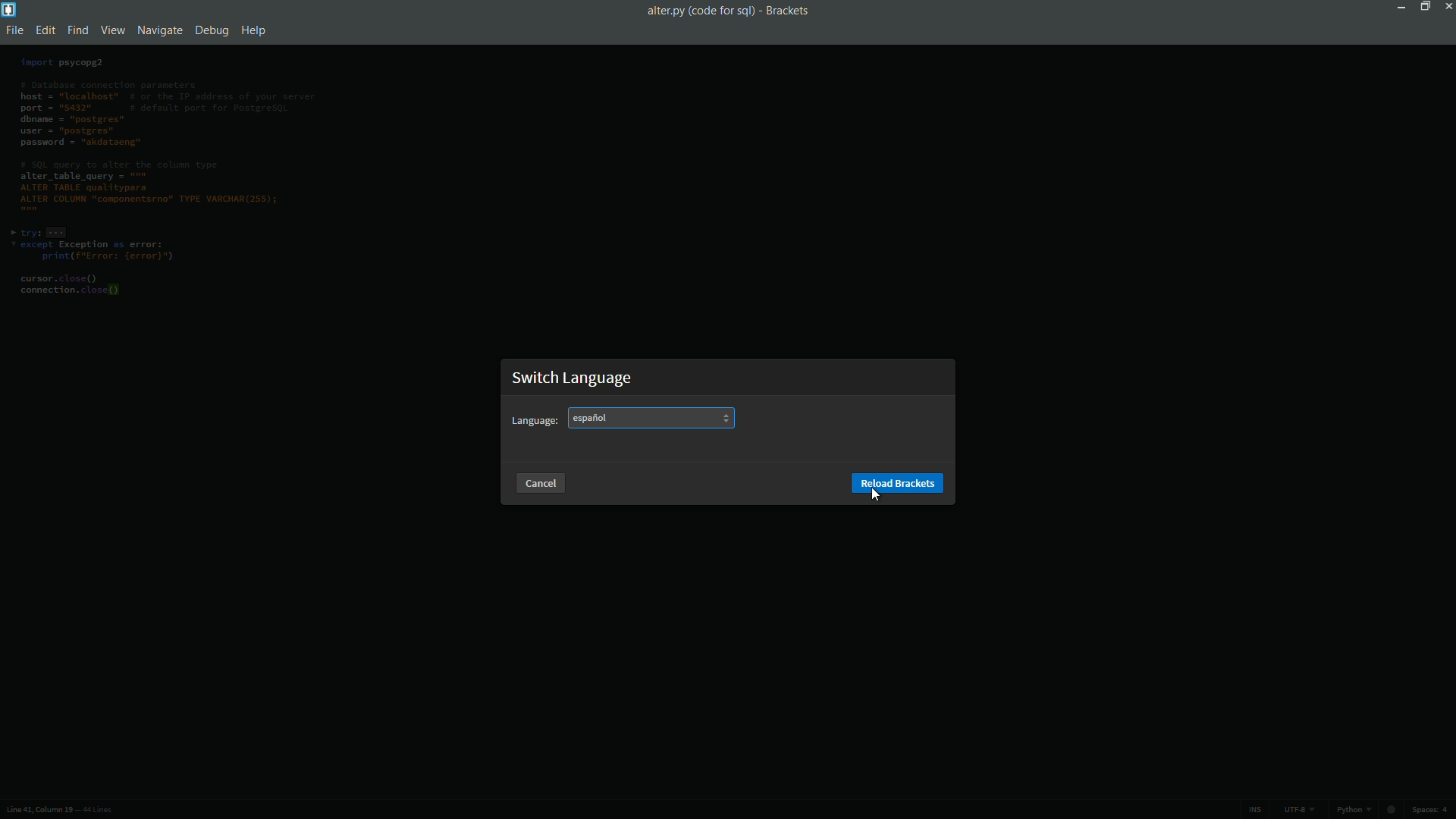 This screenshot has width=1456, height=819. I want to click on code, so click(161, 177).